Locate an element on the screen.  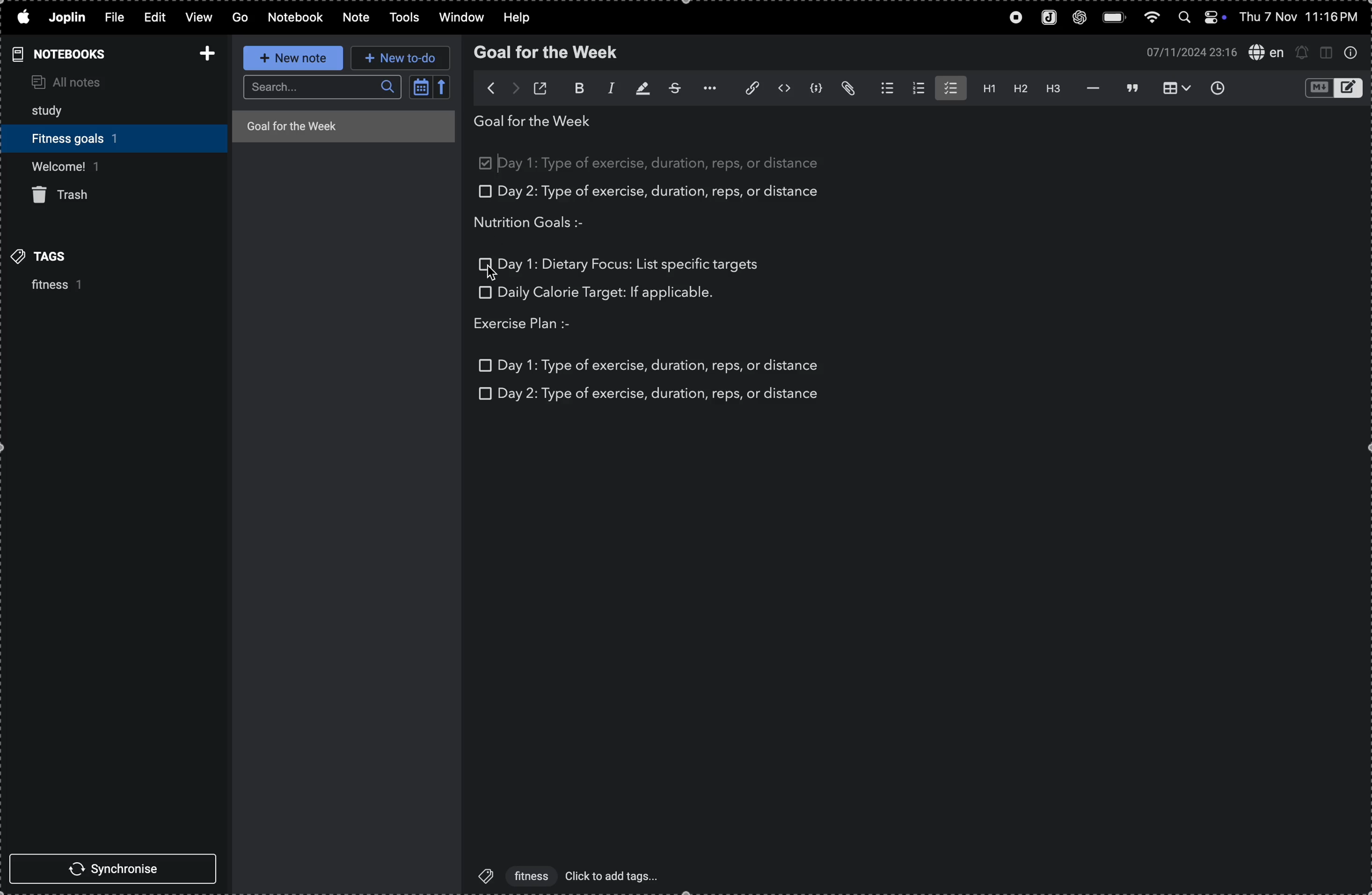
exercise plan :- is located at coordinates (534, 325).